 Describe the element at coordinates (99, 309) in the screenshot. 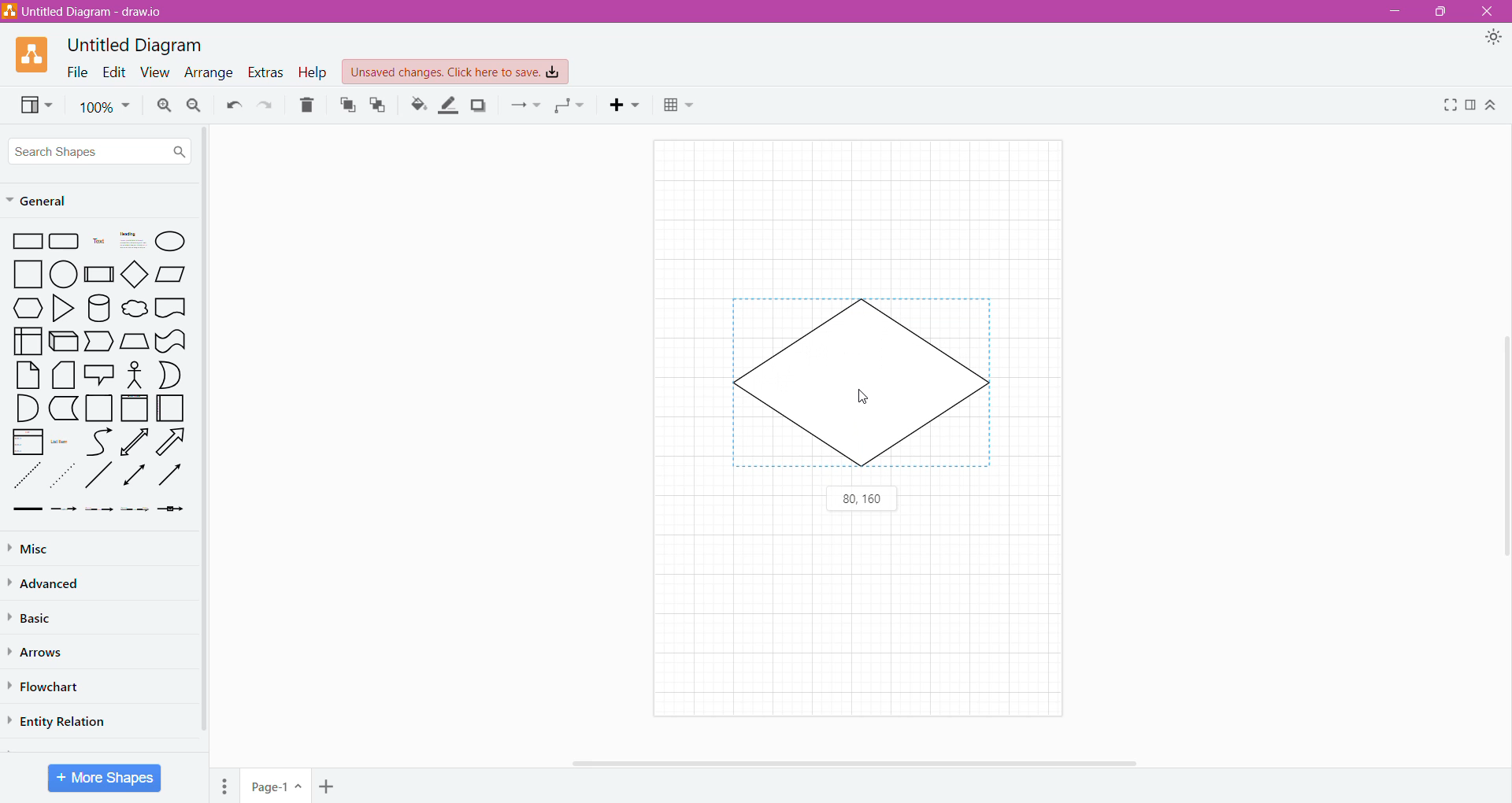

I see `Cylinder` at that location.